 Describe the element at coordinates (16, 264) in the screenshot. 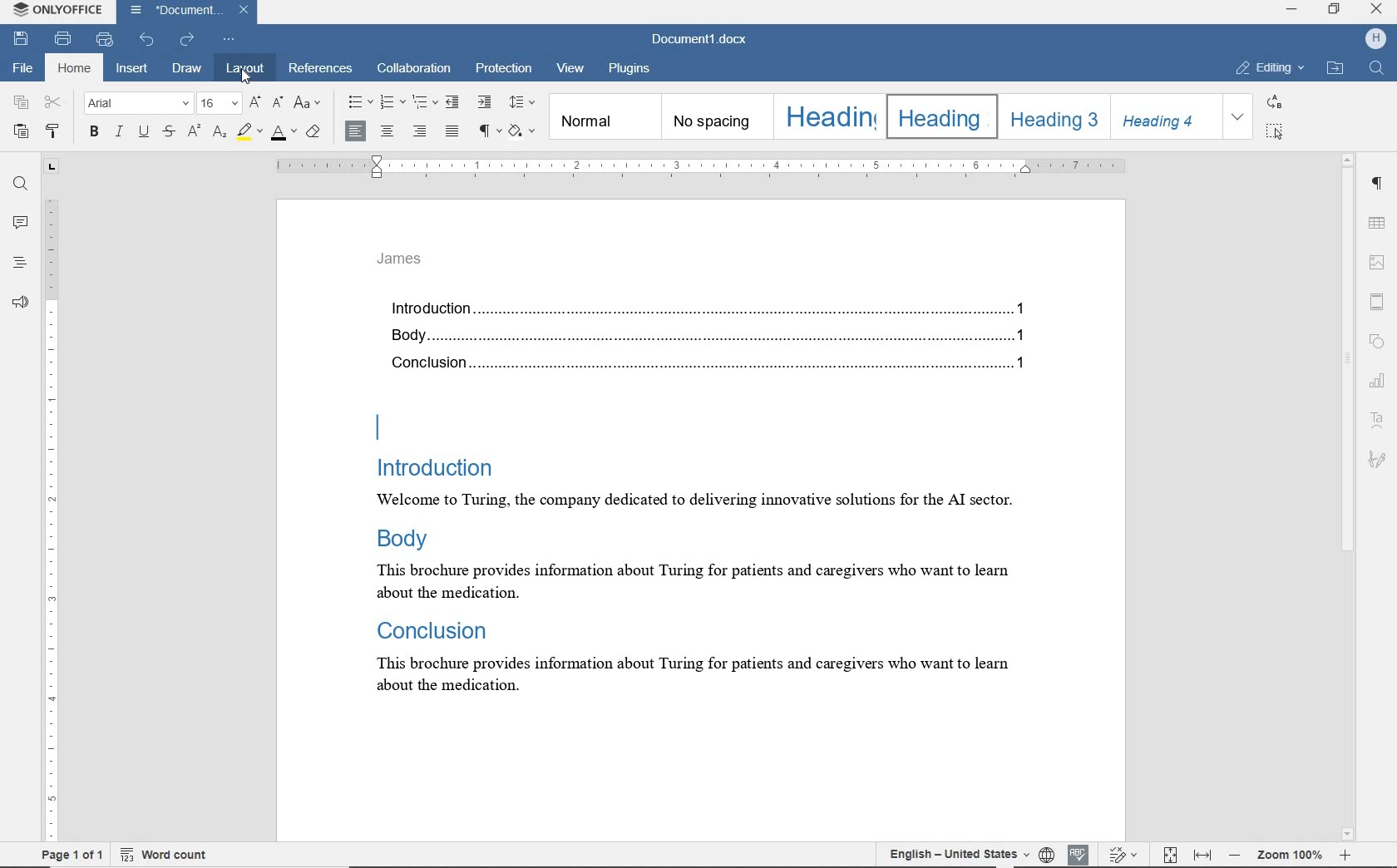

I see `headings` at that location.